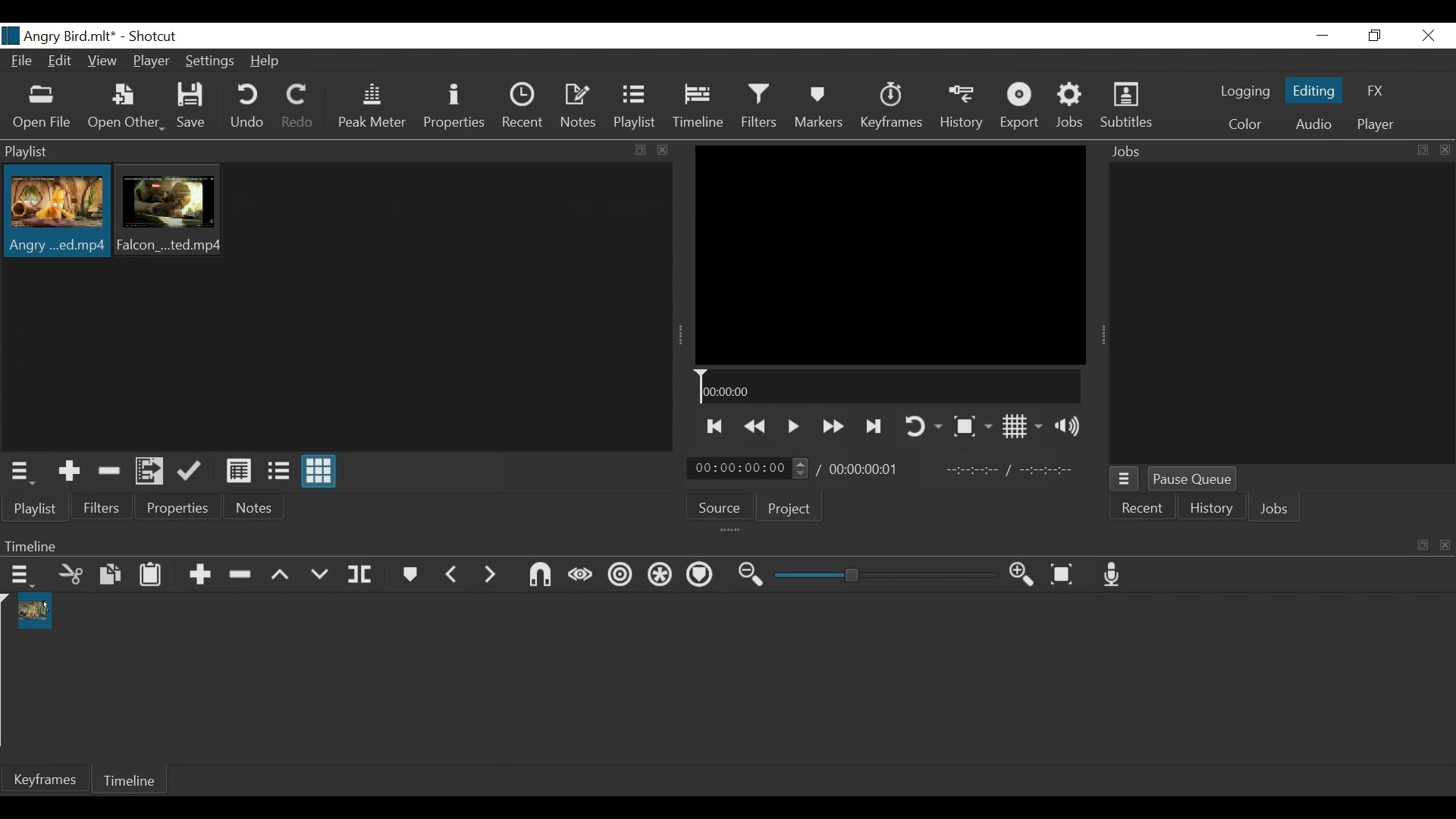 Image resolution: width=1456 pixels, height=819 pixels. I want to click on Paste, so click(153, 576).